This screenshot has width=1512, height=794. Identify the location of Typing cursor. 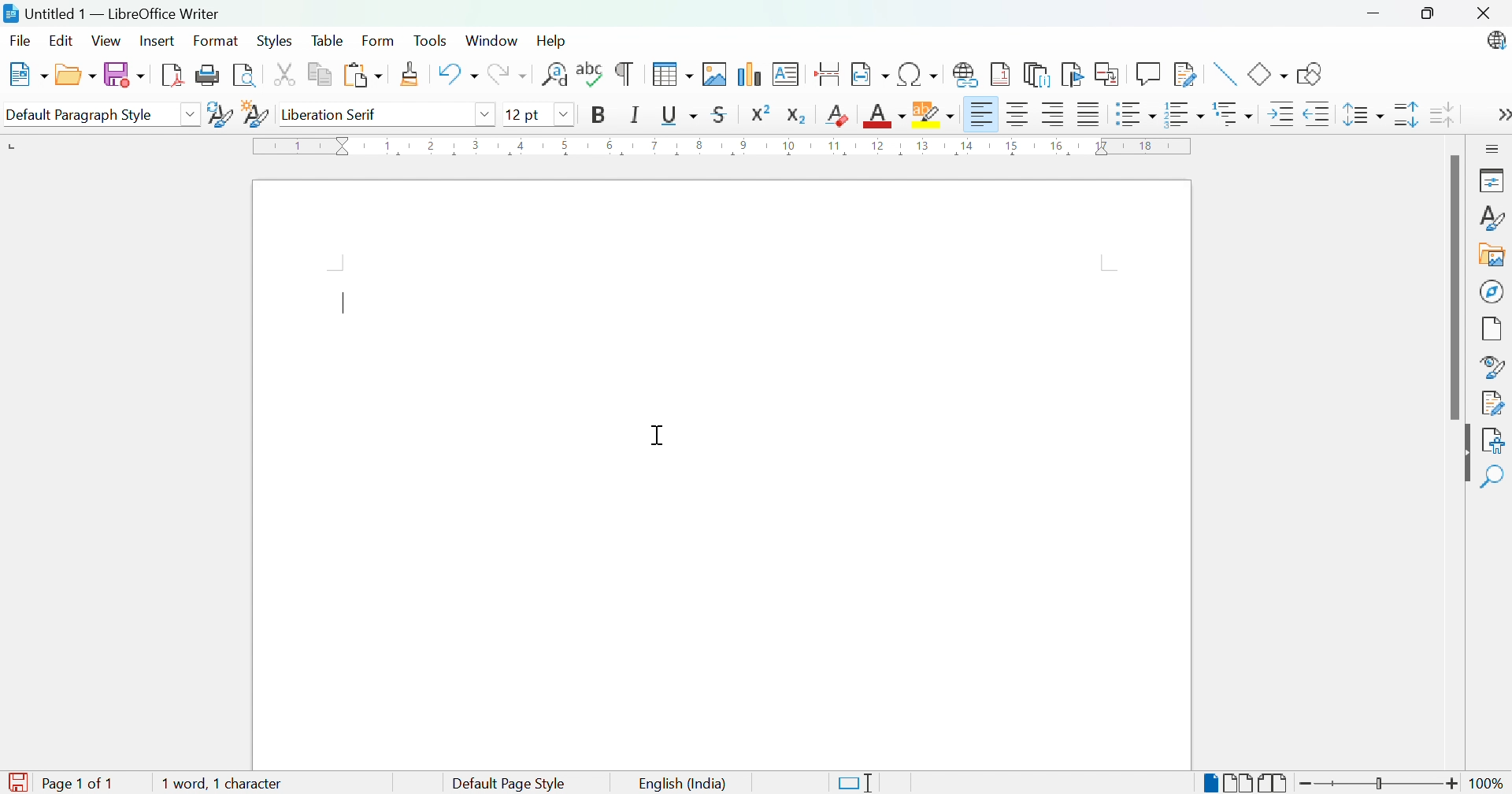
(347, 300).